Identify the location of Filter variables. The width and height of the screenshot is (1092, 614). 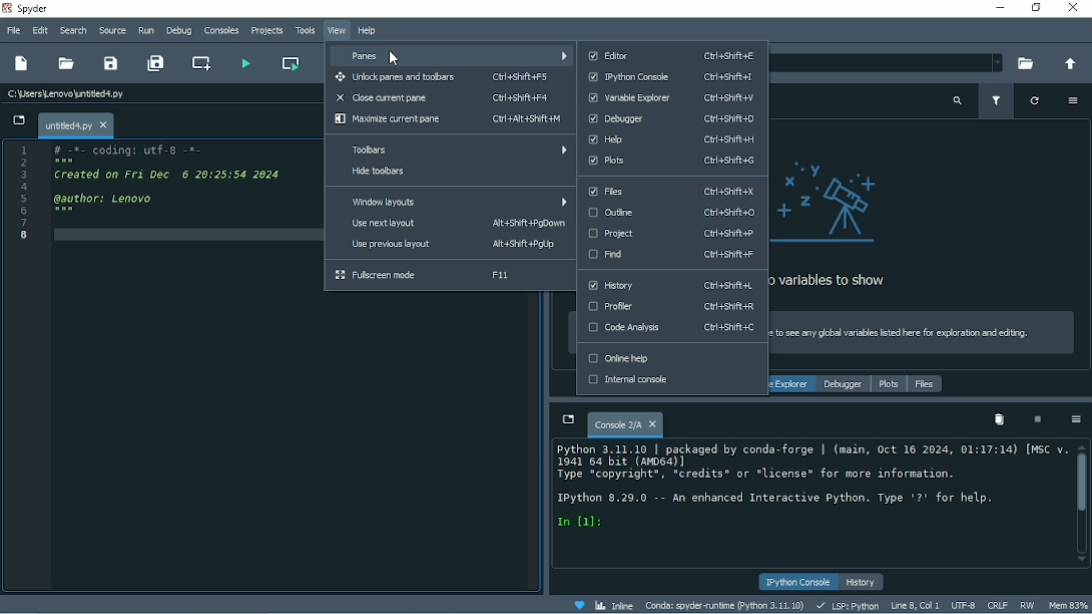
(996, 101).